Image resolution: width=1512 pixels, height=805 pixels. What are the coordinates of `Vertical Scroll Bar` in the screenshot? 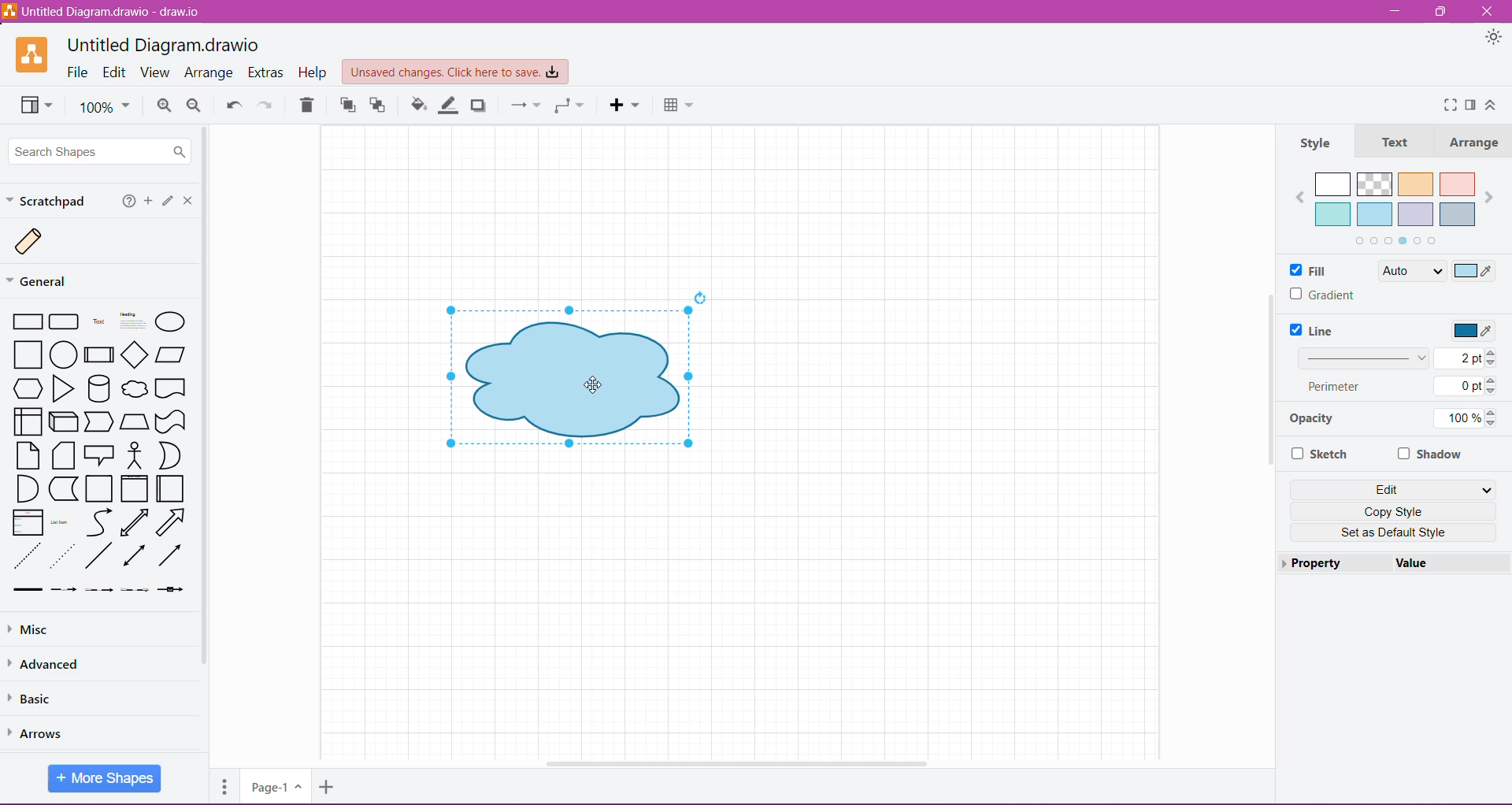 It's located at (1269, 387).